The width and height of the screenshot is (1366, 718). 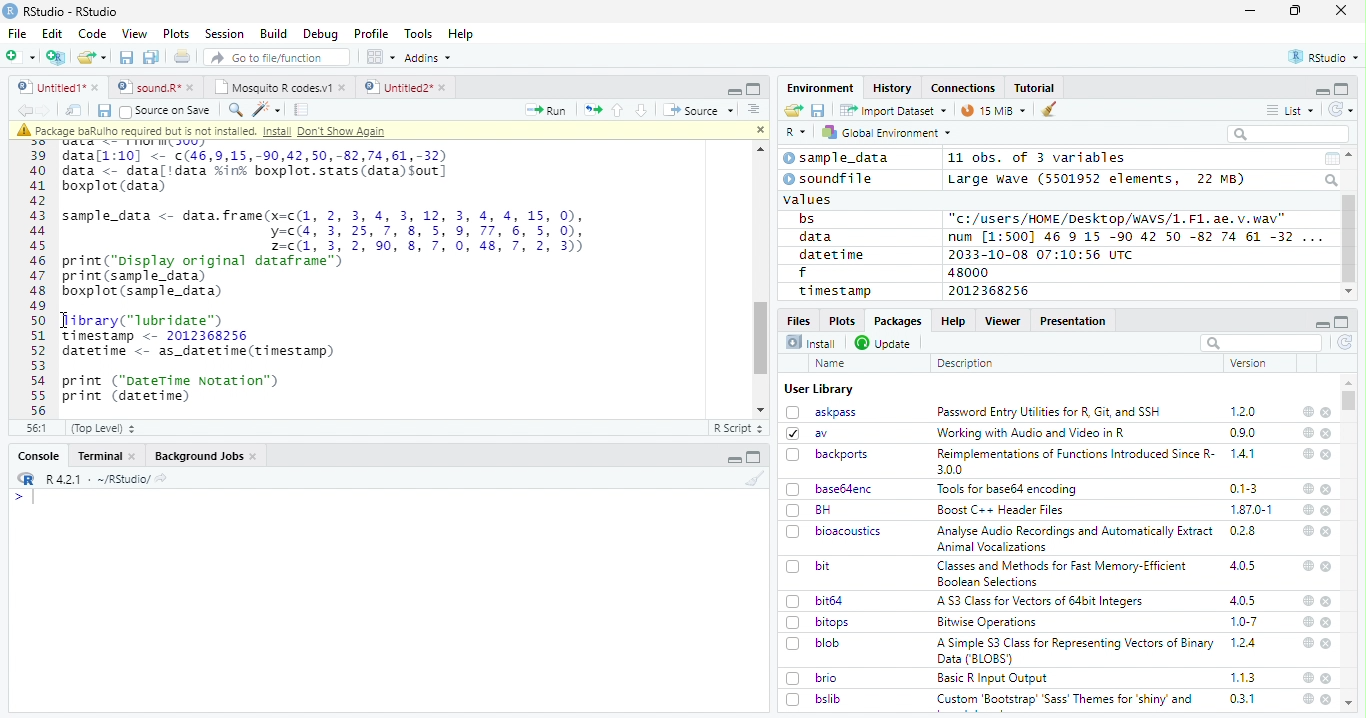 I want to click on File, so click(x=16, y=33).